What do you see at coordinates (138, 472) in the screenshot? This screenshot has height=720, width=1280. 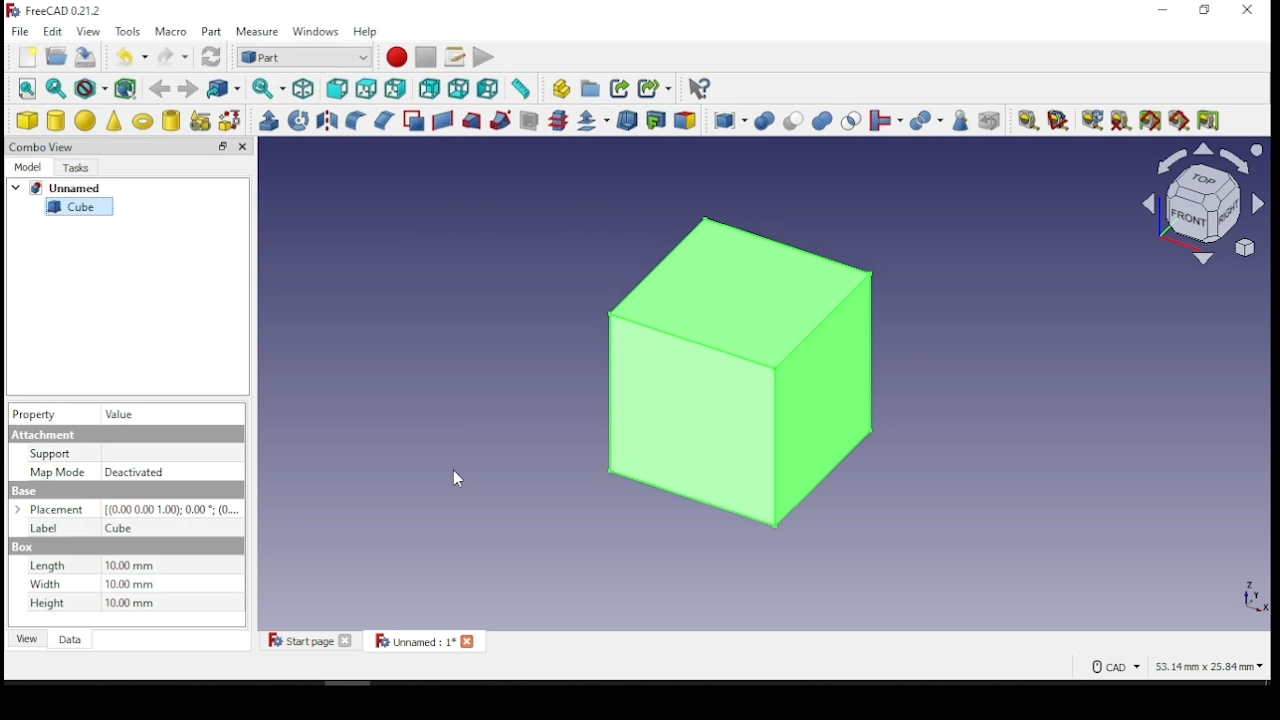 I see `Deactivated` at bounding box center [138, 472].